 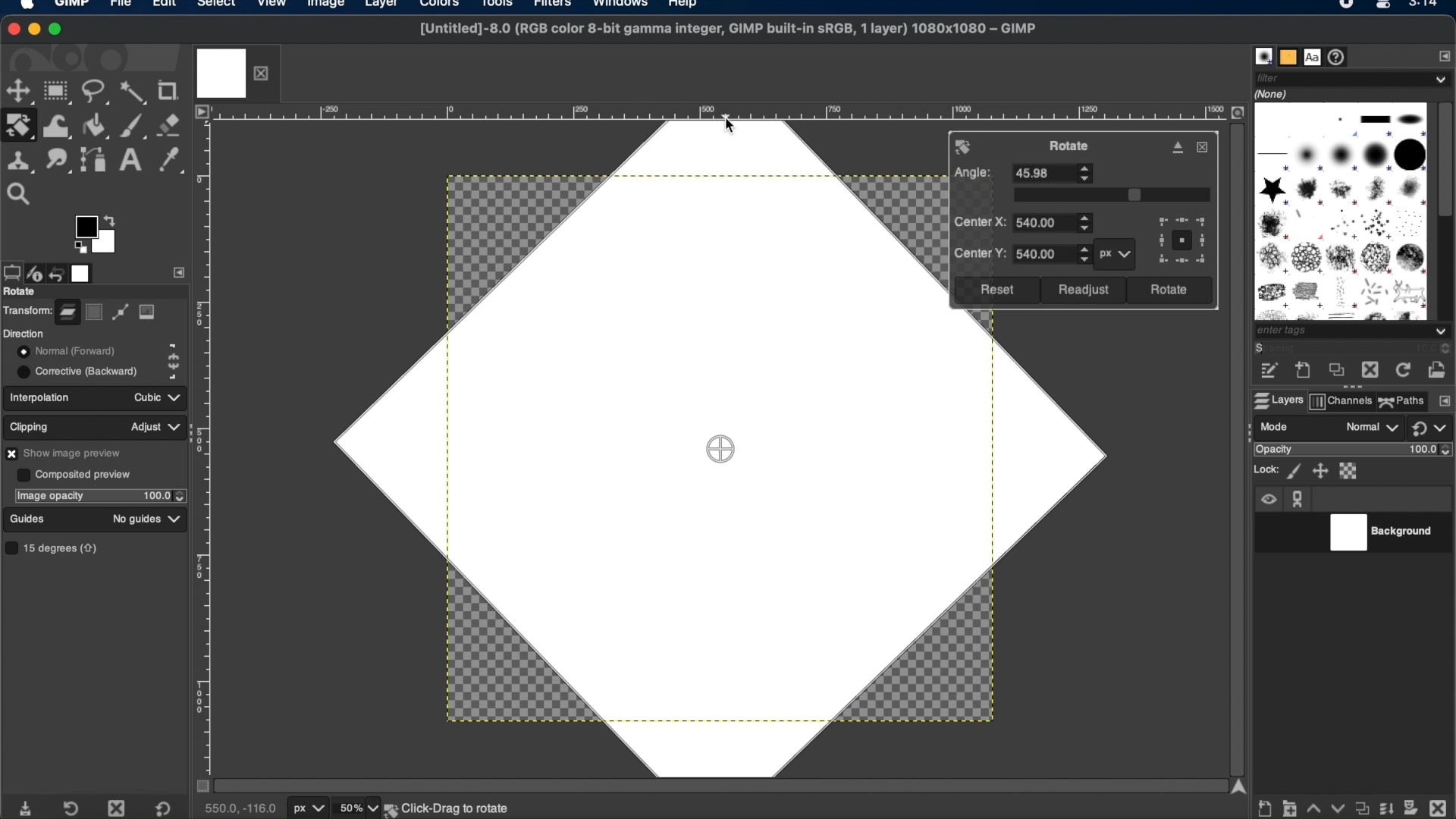 I want to click on scroll up arrow, so click(x=1238, y=786).